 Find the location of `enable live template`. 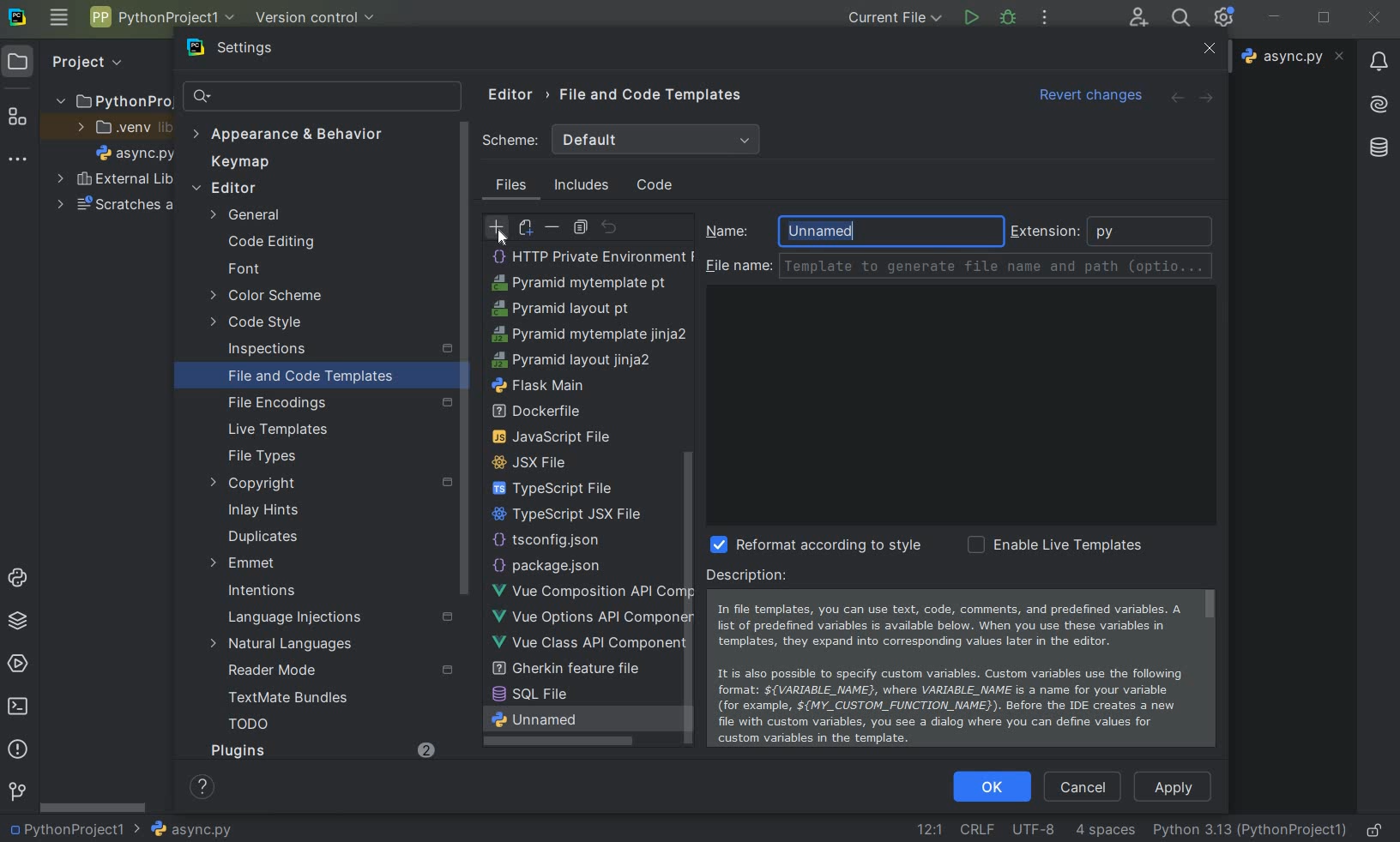

enable live template is located at coordinates (1056, 547).